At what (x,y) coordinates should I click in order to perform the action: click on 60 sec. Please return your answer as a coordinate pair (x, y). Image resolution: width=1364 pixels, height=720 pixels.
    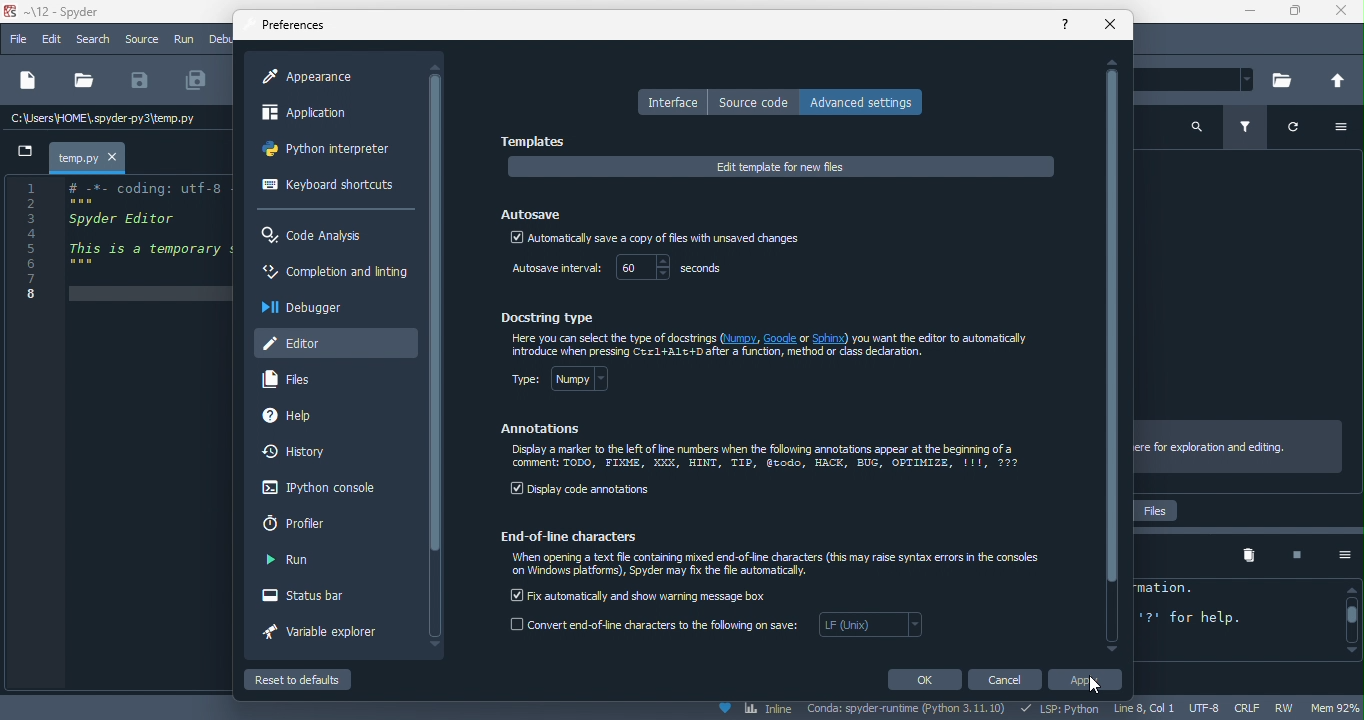
    Looking at the image, I should click on (676, 269).